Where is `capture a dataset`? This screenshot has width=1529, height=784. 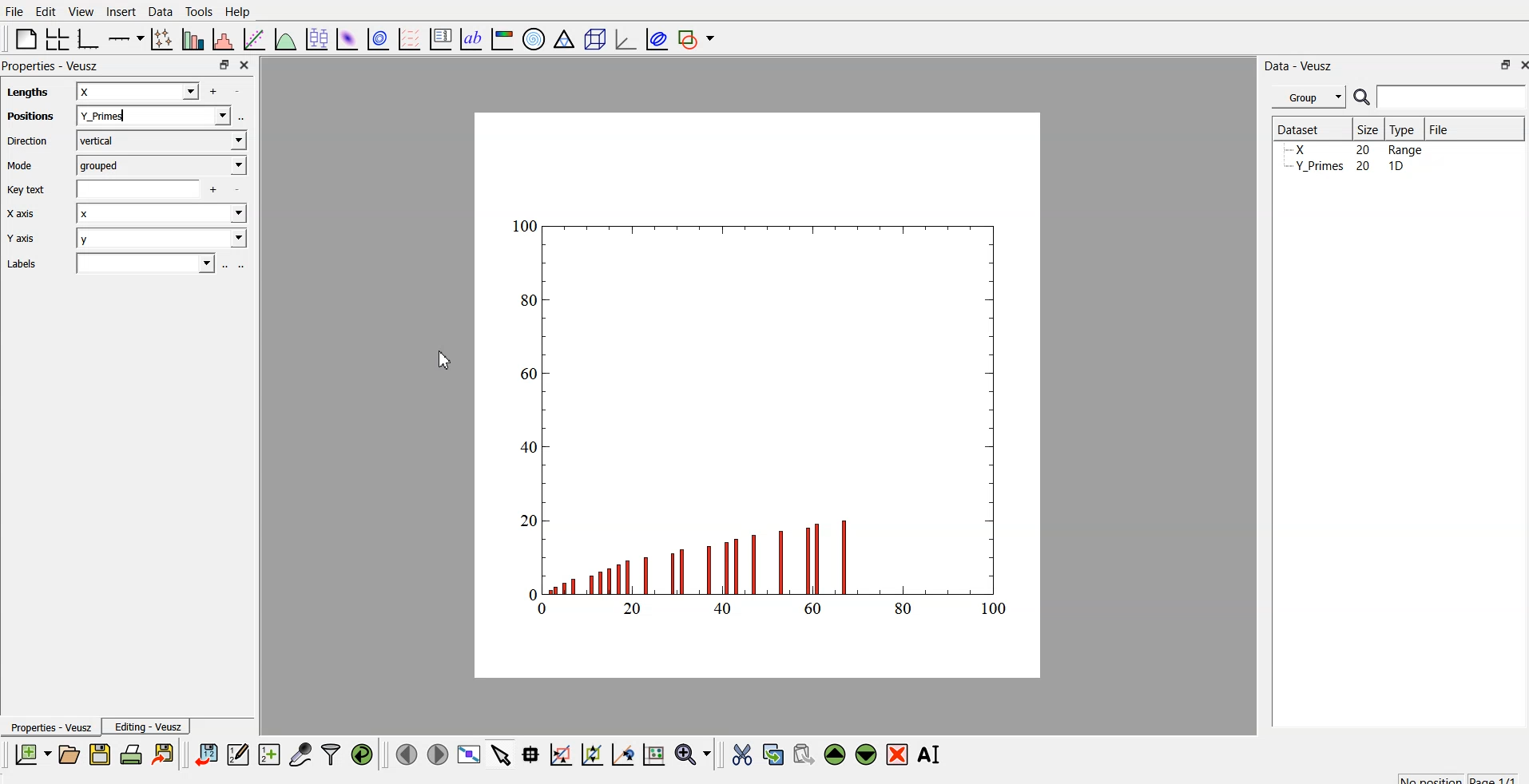 capture a dataset is located at coordinates (300, 754).